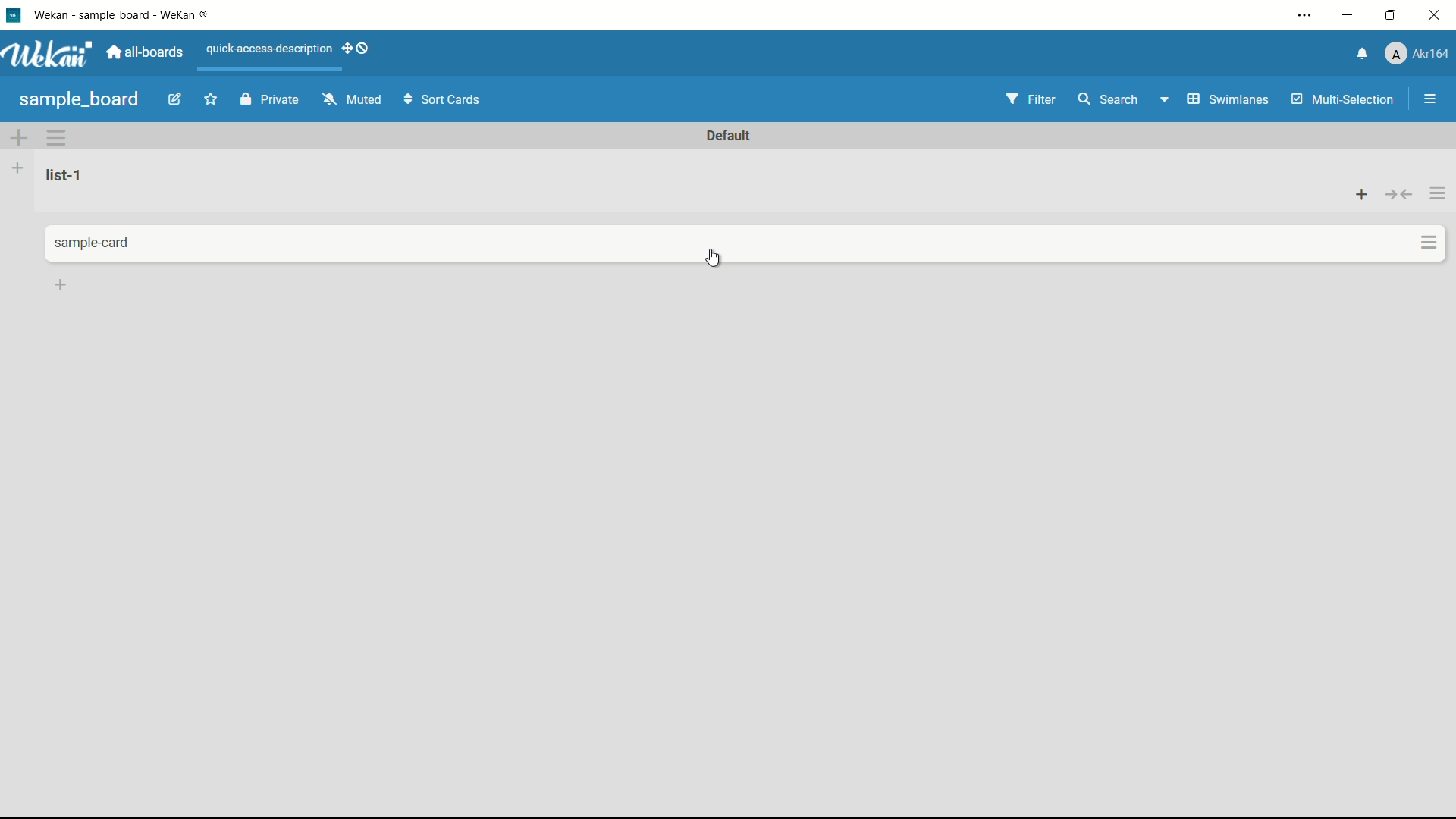 The image size is (1456, 819). I want to click on close app, so click(1438, 15).